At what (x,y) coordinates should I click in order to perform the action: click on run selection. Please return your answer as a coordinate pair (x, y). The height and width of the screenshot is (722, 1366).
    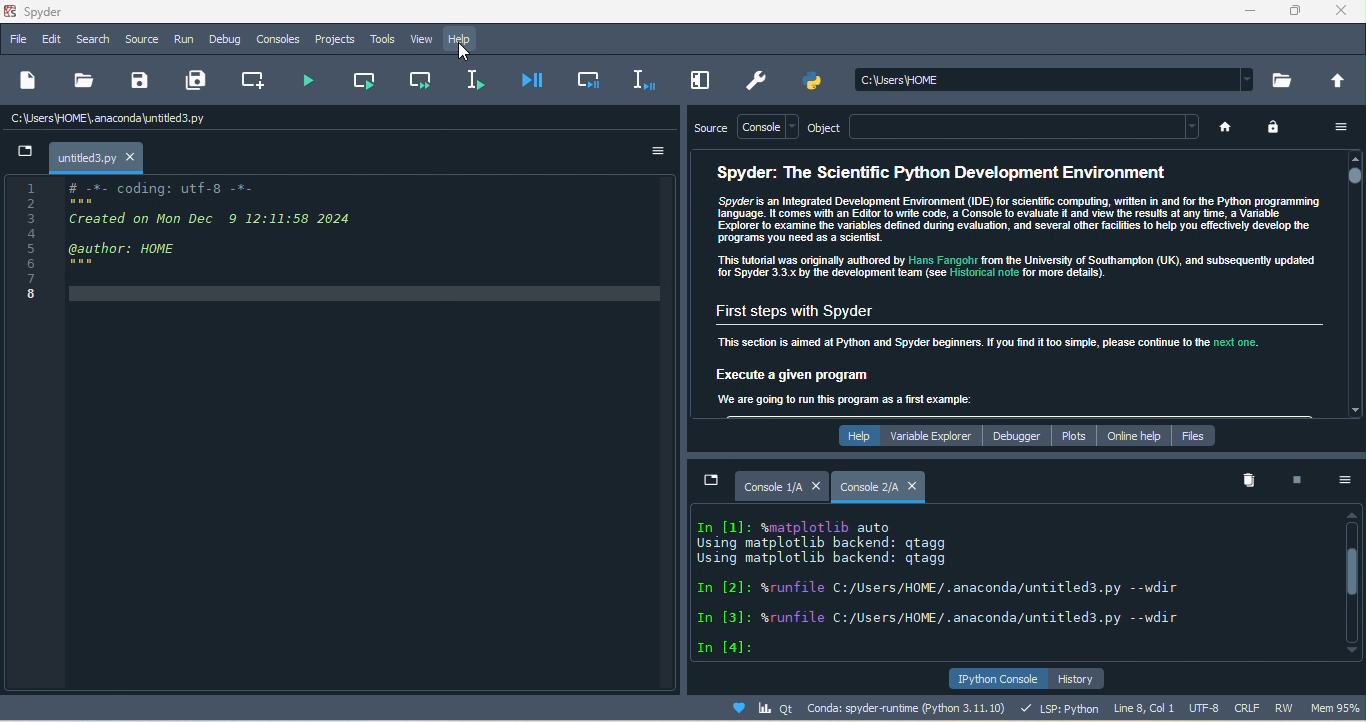
    Looking at the image, I should click on (479, 79).